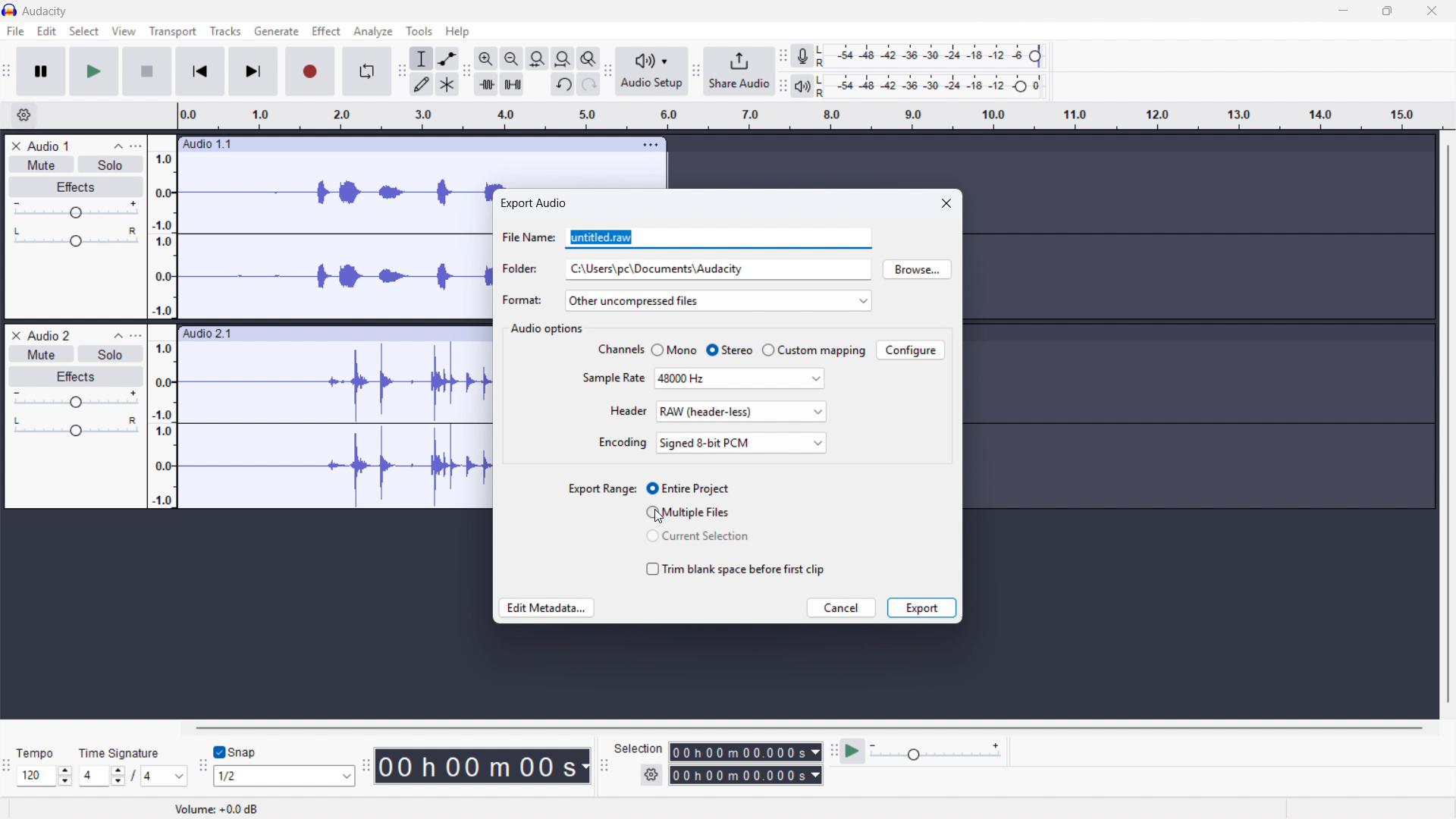 The width and height of the screenshot is (1456, 819). Describe the element at coordinates (466, 71) in the screenshot. I see `Edit toolbar ` at that location.